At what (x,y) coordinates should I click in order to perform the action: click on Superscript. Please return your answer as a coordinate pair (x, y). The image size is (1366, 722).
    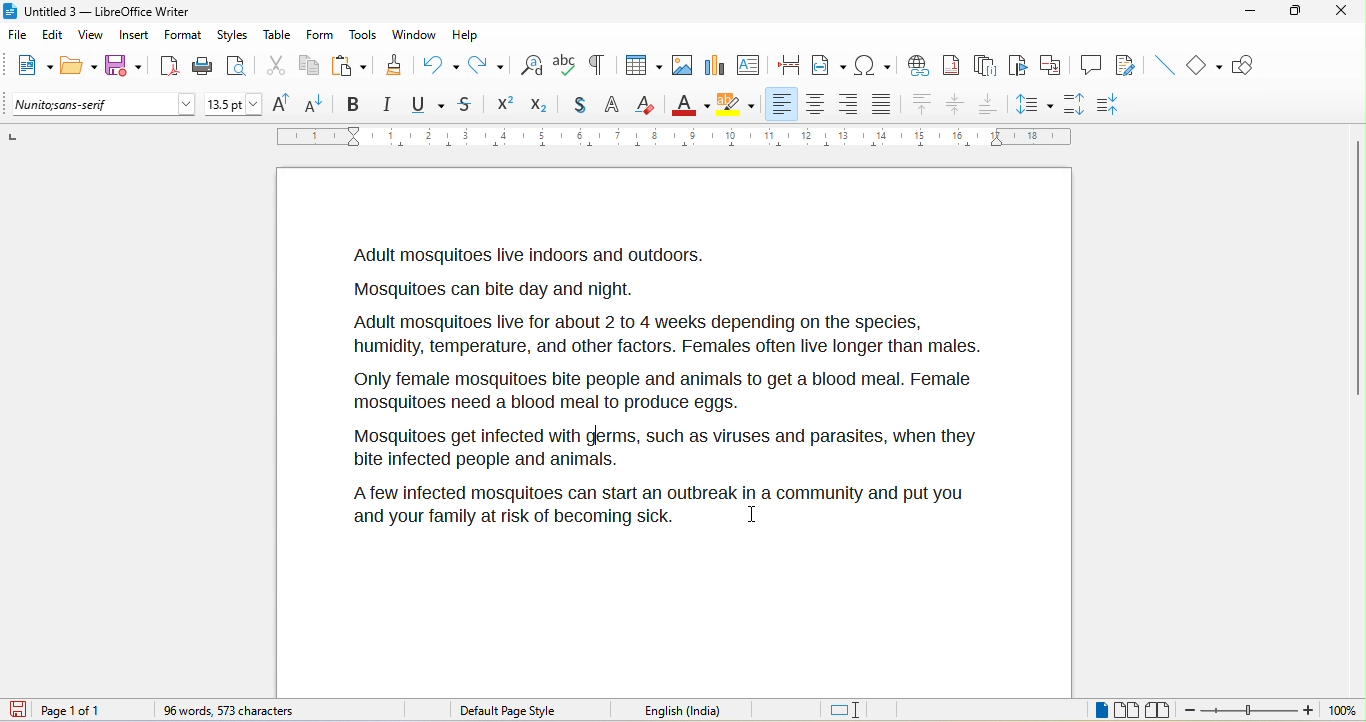
    Looking at the image, I should click on (502, 106).